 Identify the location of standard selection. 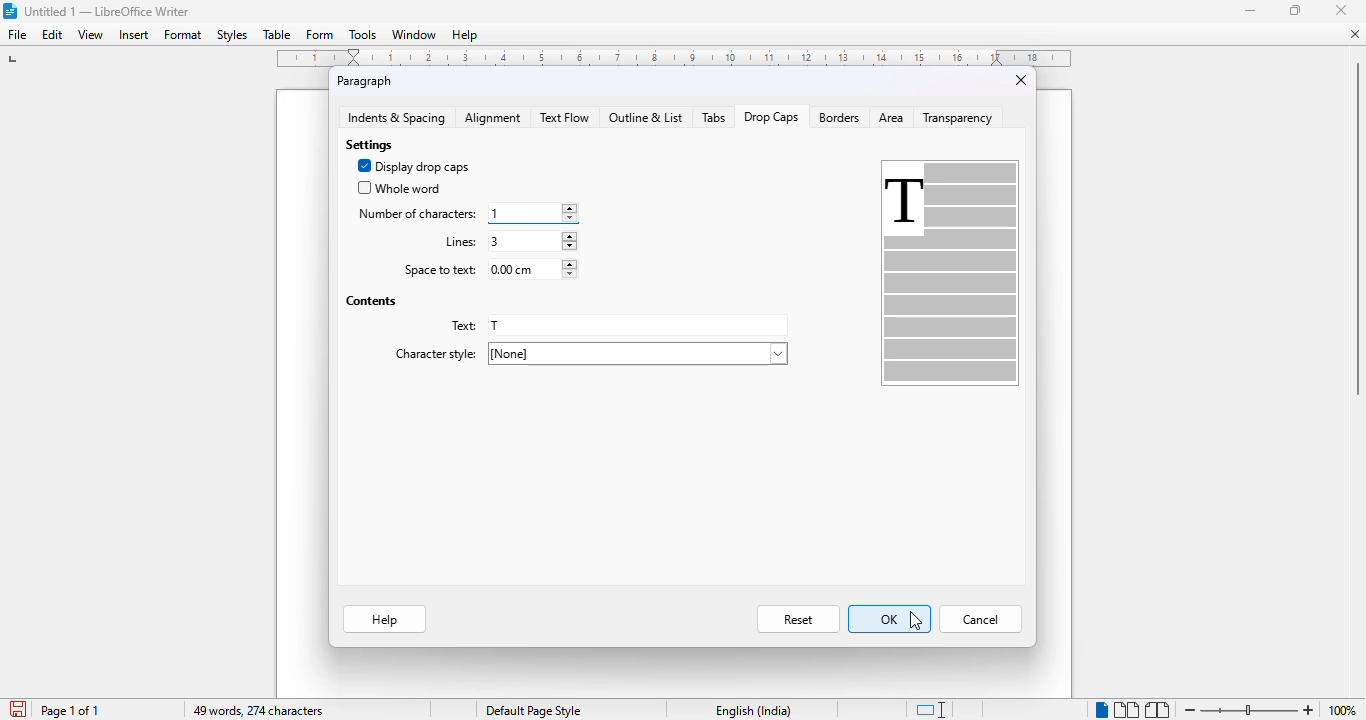
(931, 709).